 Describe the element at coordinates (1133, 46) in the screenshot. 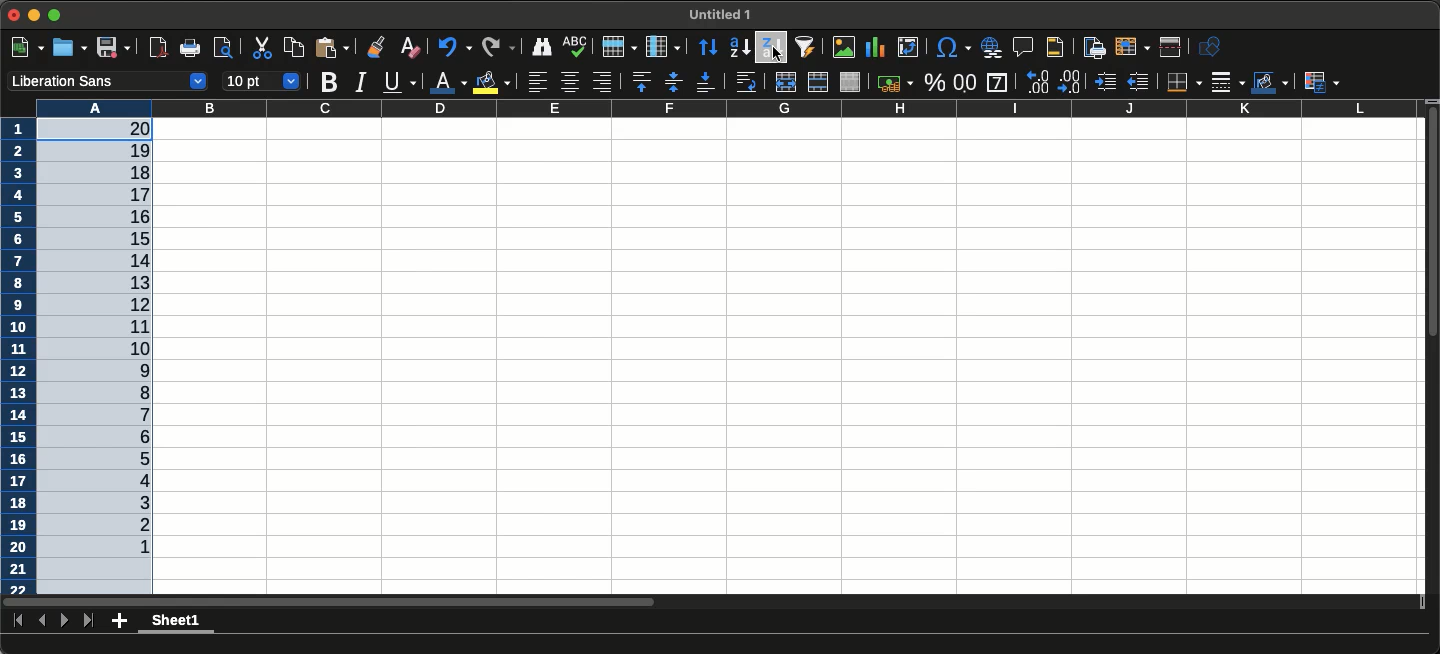

I see `Freeze rows and columns` at that location.